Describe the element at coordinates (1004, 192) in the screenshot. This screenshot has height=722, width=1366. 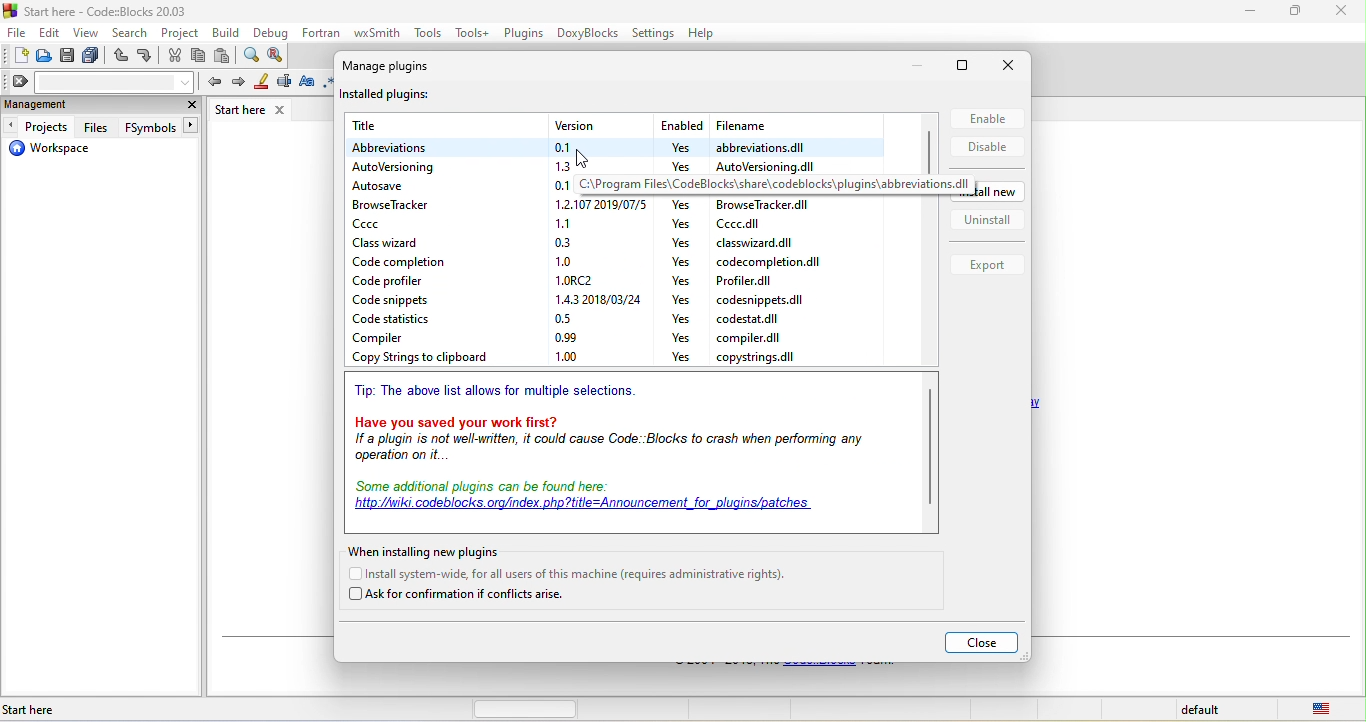
I see `new` at that location.